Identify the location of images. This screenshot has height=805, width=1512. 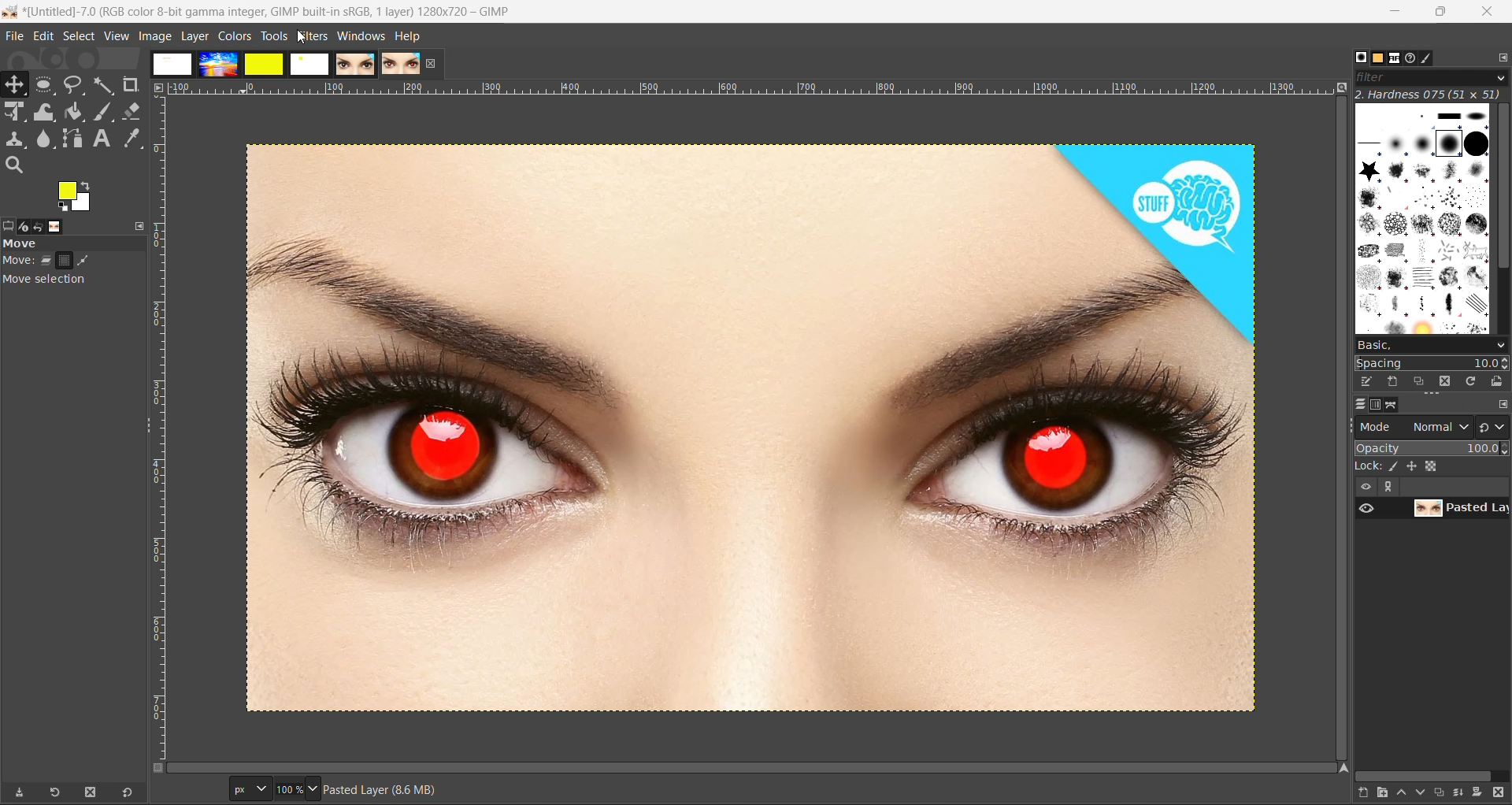
(284, 65).